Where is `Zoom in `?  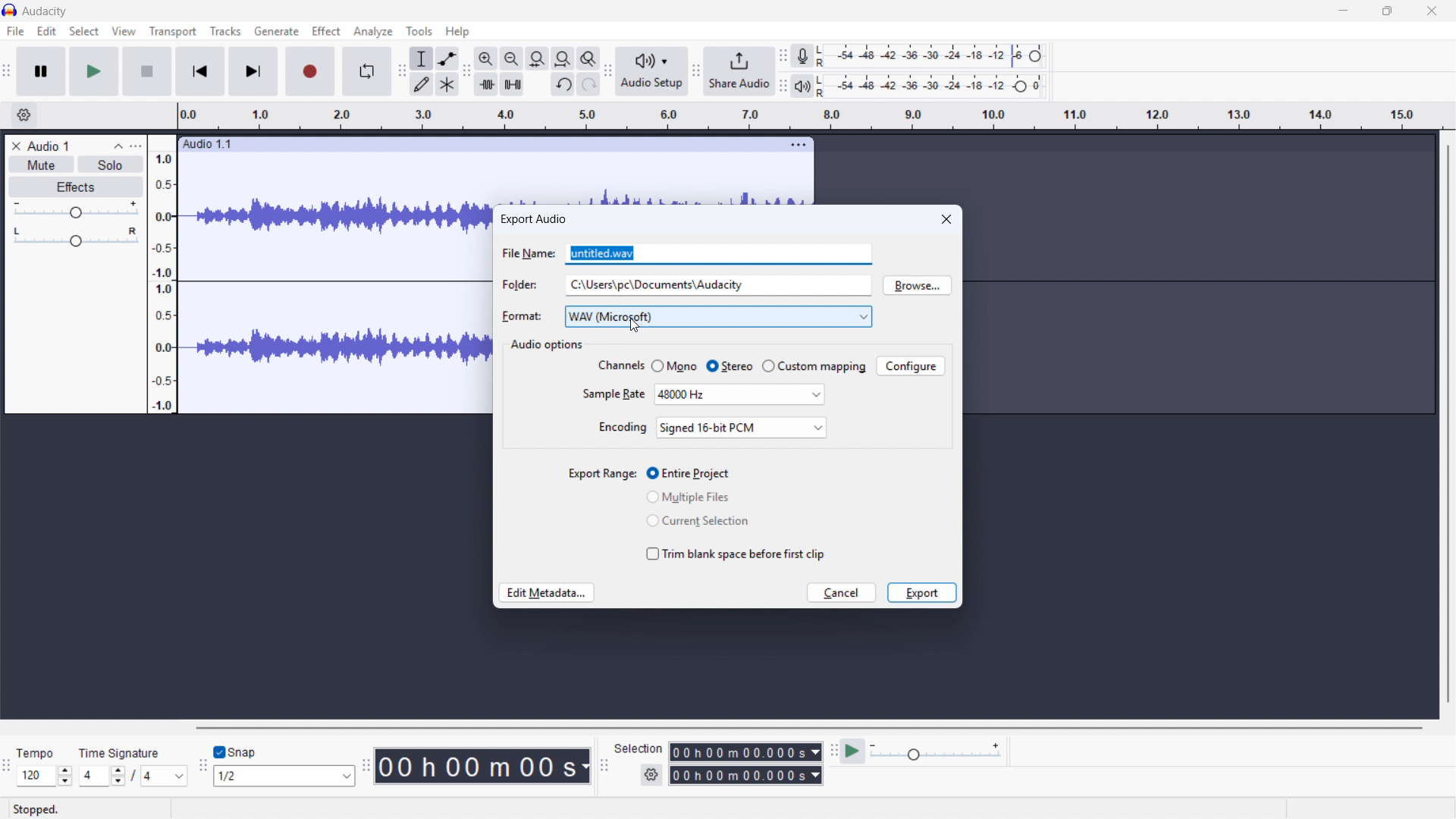 Zoom in  is located at coordinates (486, 58).